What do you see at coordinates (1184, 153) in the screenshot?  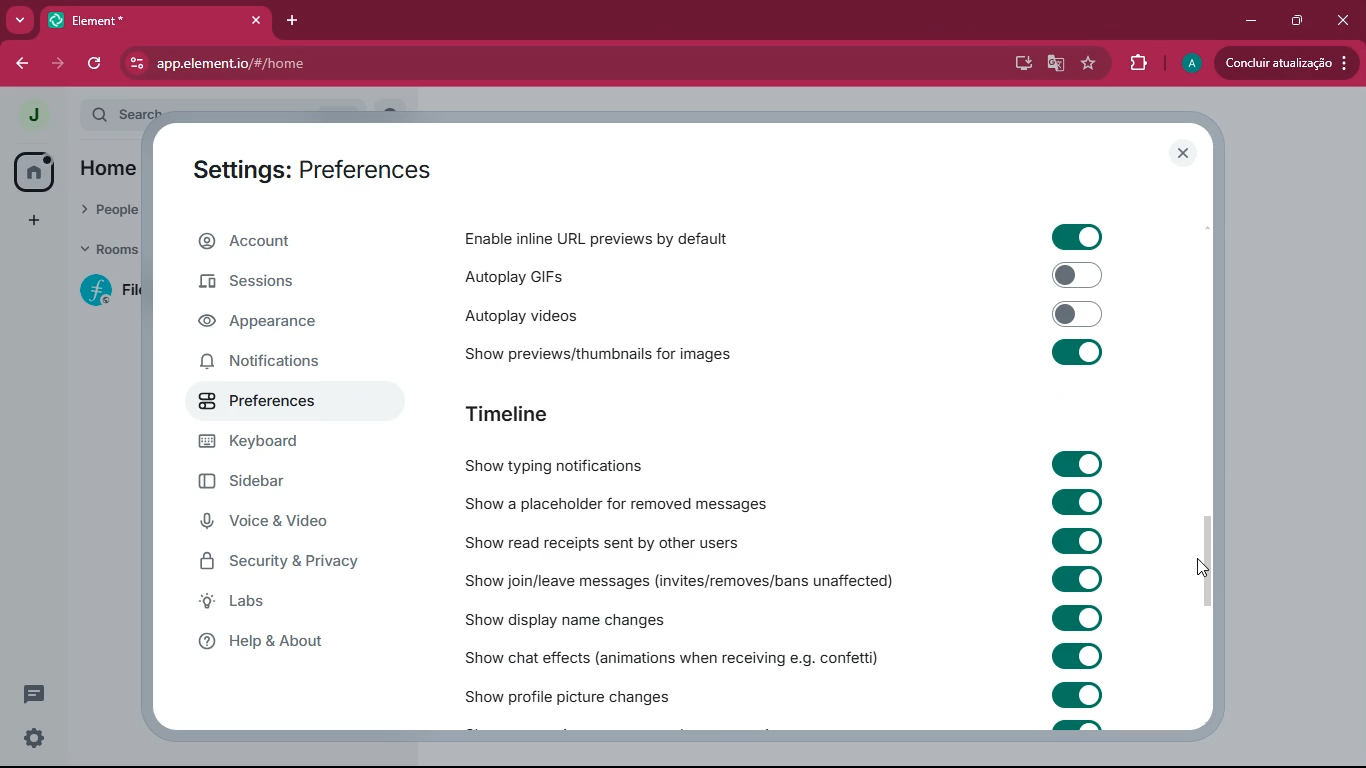 I see `close` at bounding box center [1184, 153].